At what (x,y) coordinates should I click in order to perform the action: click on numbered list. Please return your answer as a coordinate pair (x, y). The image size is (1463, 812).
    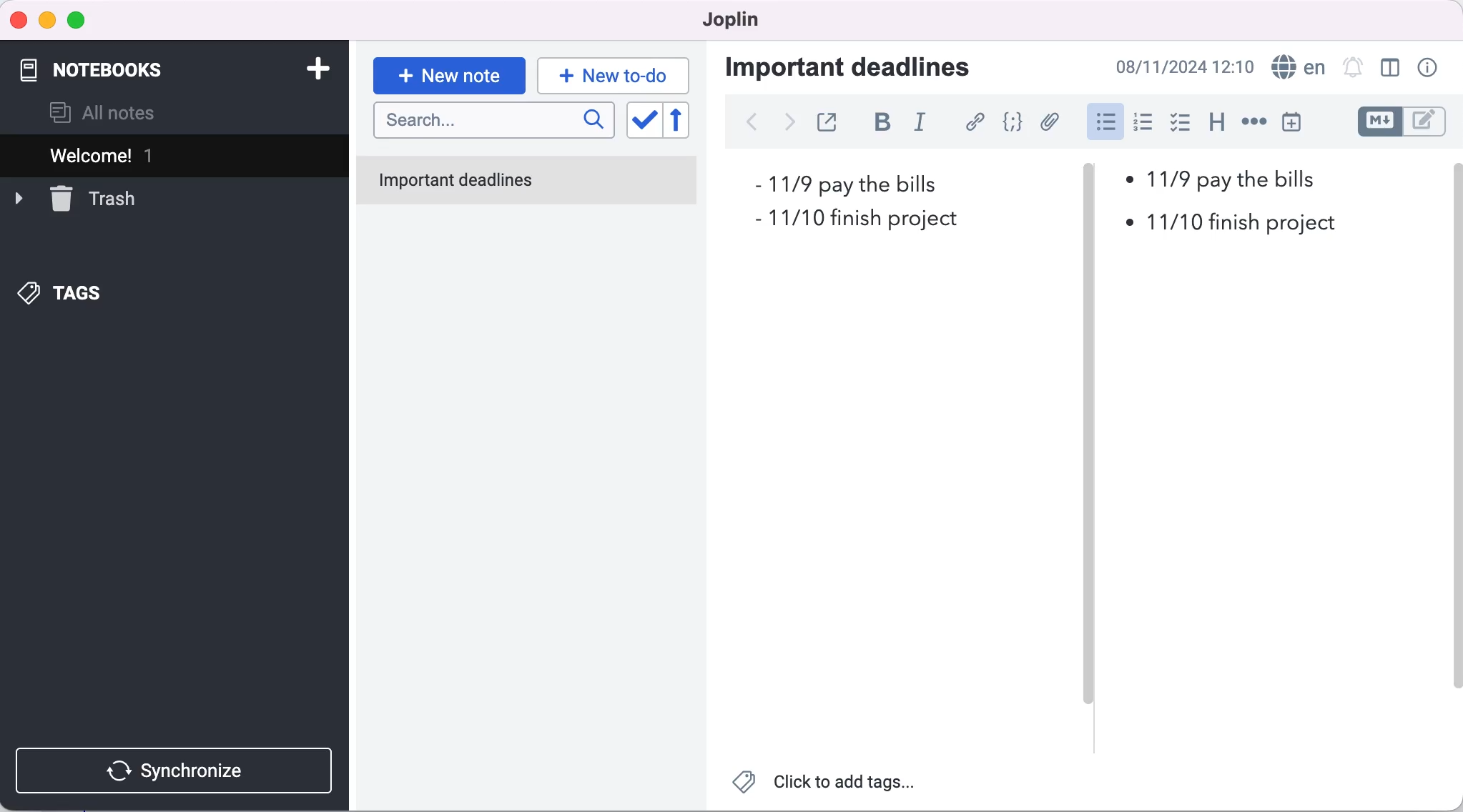
    Looking at the image, I should click on (1142, 123).